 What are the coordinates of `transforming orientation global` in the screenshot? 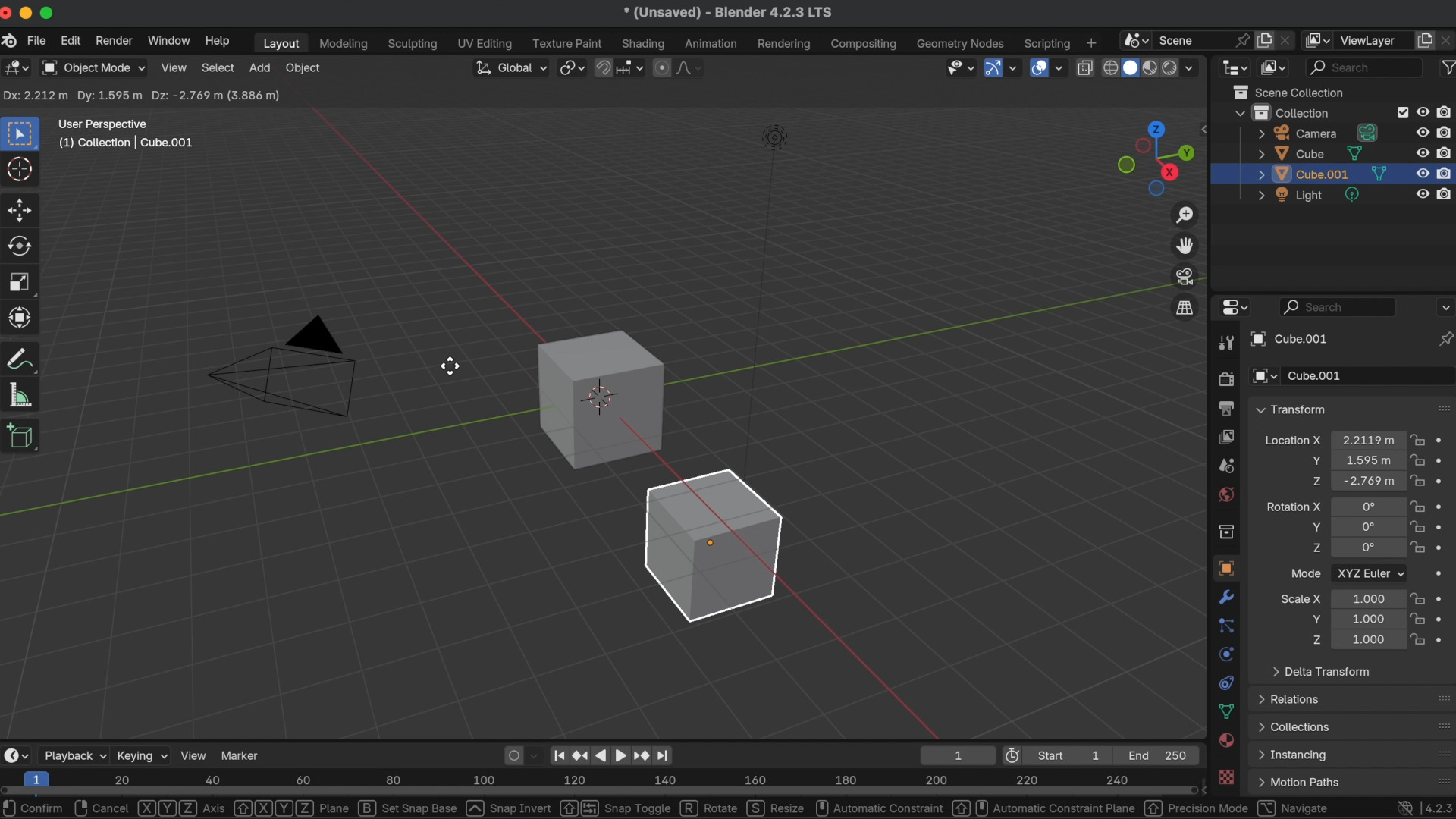 It's located at (509, 67).